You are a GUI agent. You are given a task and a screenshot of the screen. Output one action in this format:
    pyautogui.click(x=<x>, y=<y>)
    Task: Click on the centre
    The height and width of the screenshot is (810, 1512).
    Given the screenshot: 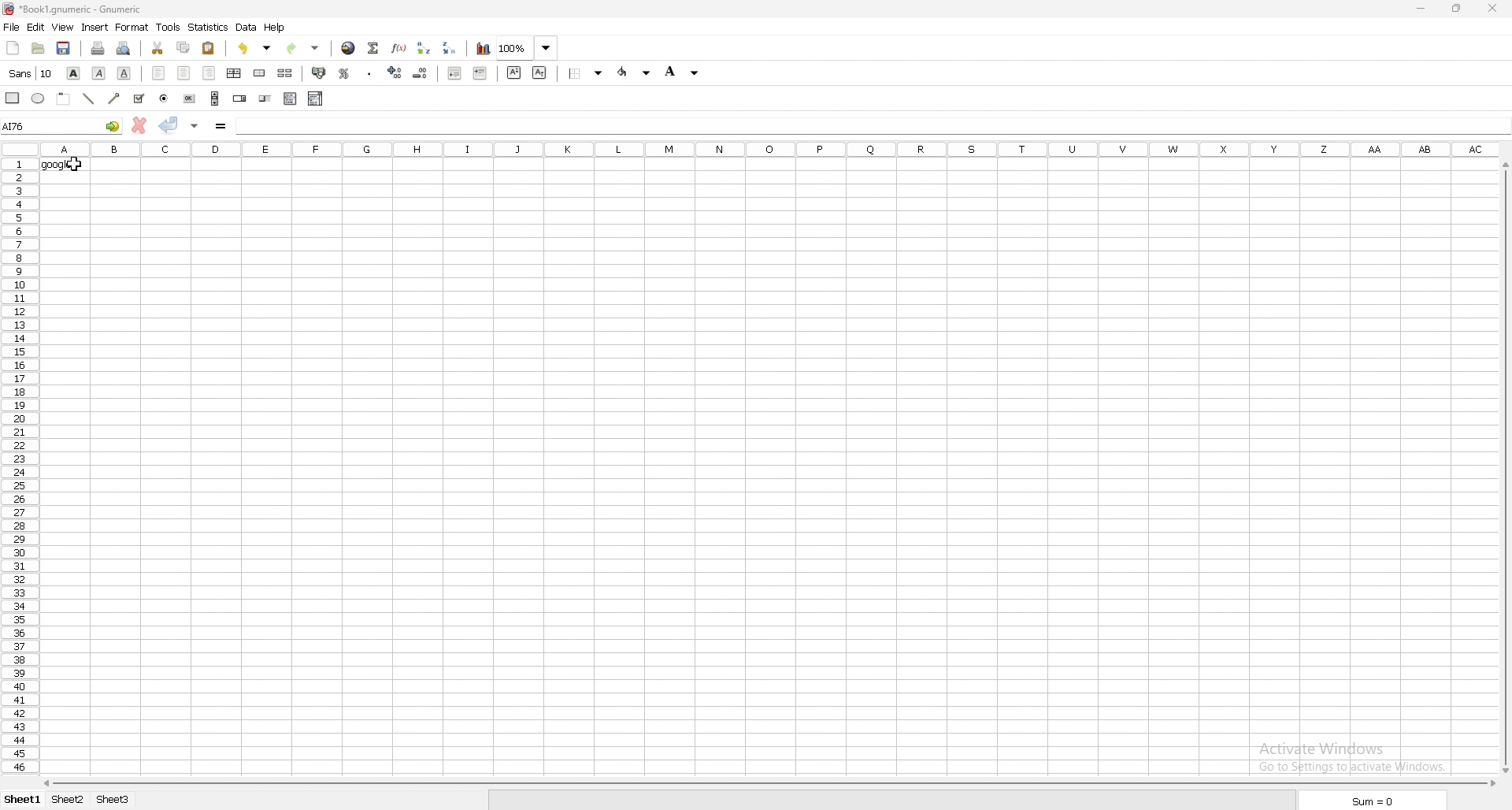 What is the action you would take?
    pyautogui.click(x=183, y=72)
    